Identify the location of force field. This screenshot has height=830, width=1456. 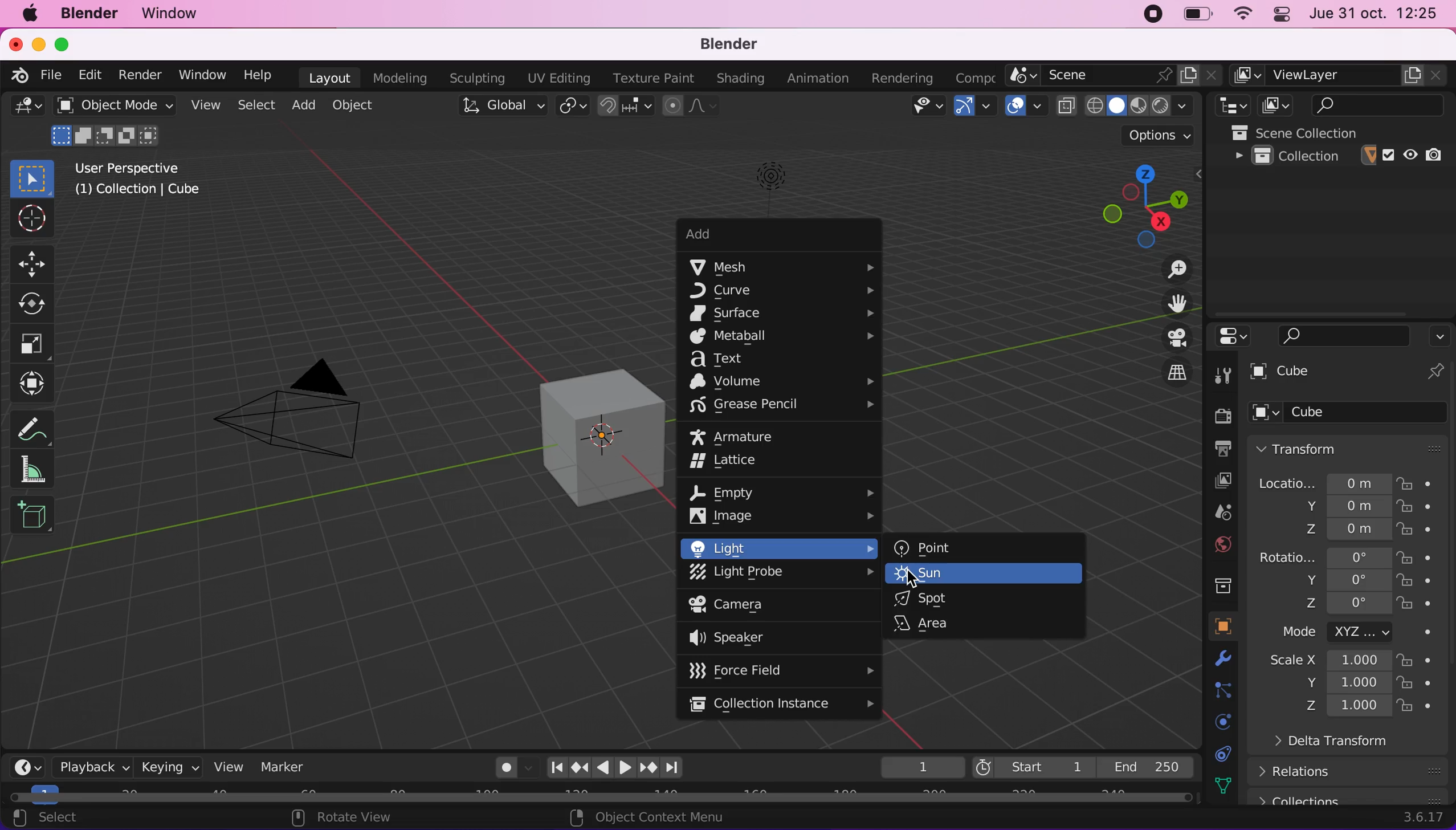
(779, 669).